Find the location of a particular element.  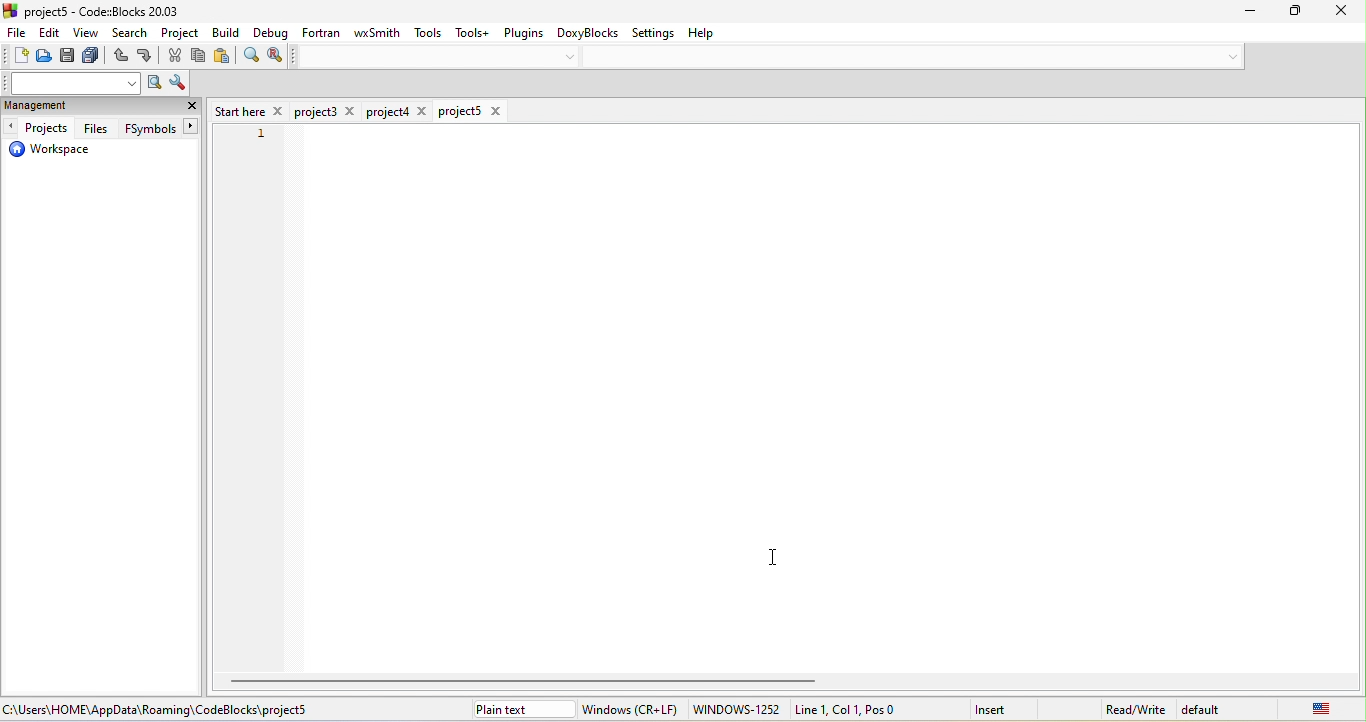

wxsmith is located at coordinates (374, 34).